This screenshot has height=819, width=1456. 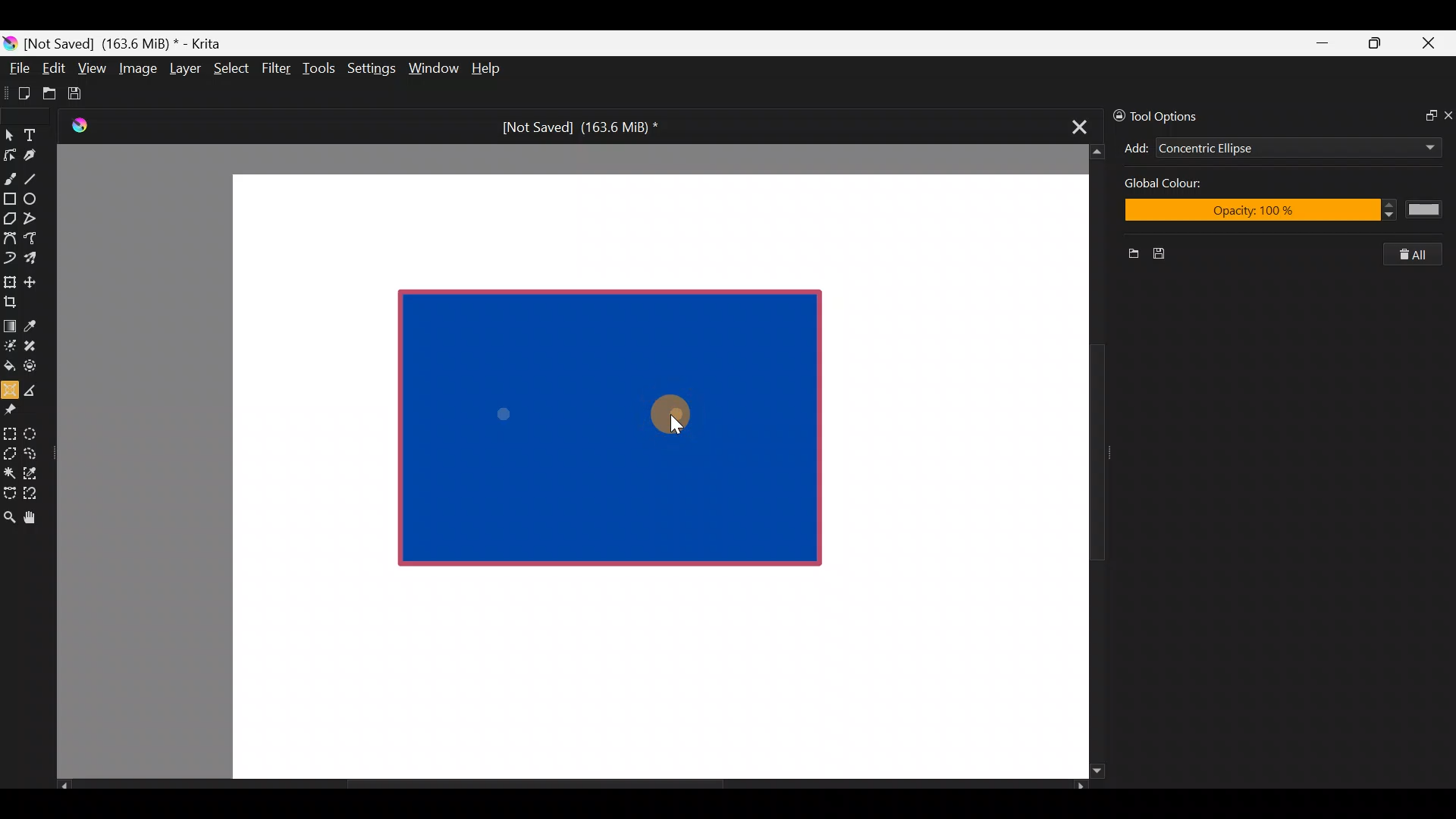 What do you see at coordinates (9, 385) in the screenshot?
I see `Assistant tool` at bounding box center [9, 385].